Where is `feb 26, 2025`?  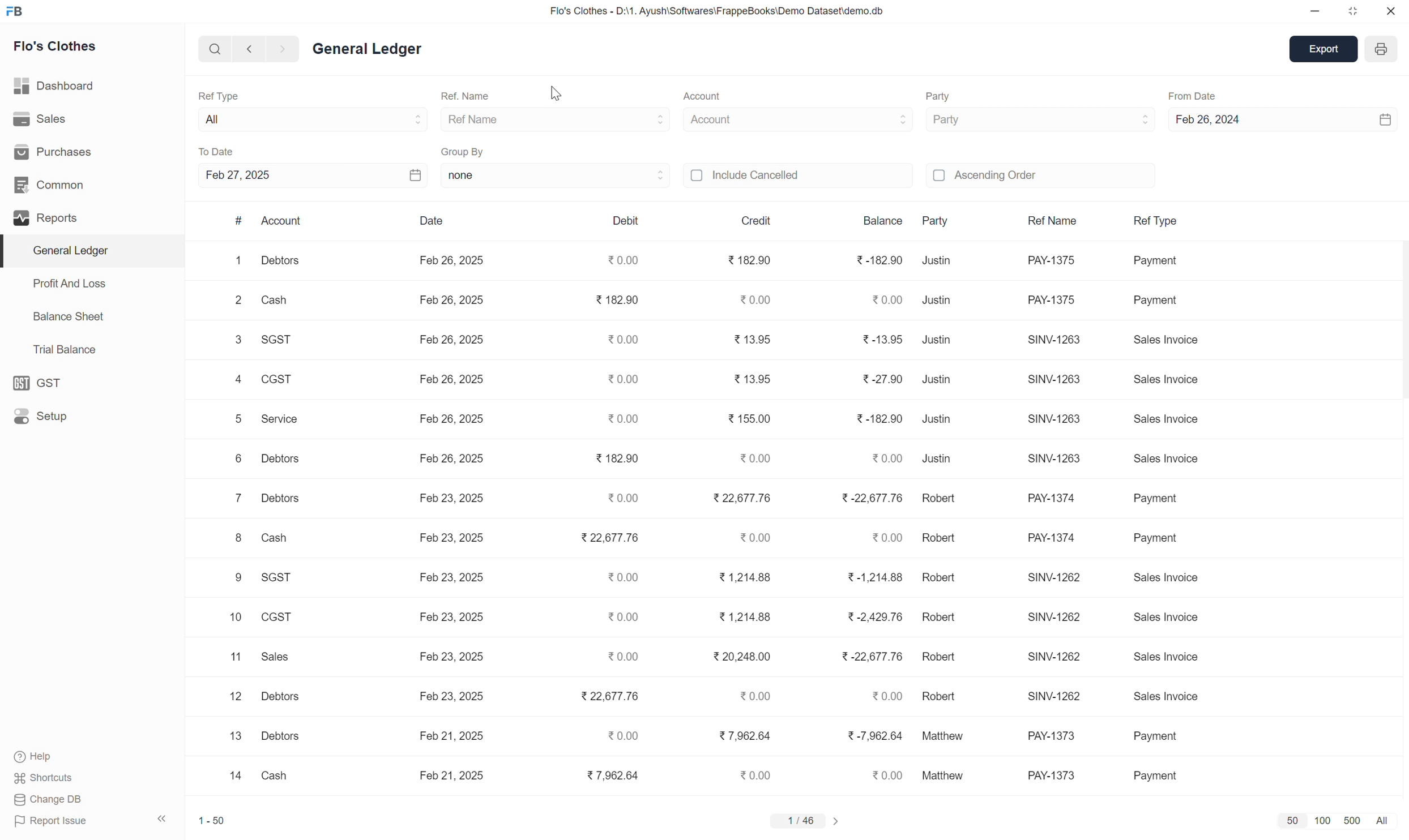 feb 26, 2025 is located at coordinates (453, 337).